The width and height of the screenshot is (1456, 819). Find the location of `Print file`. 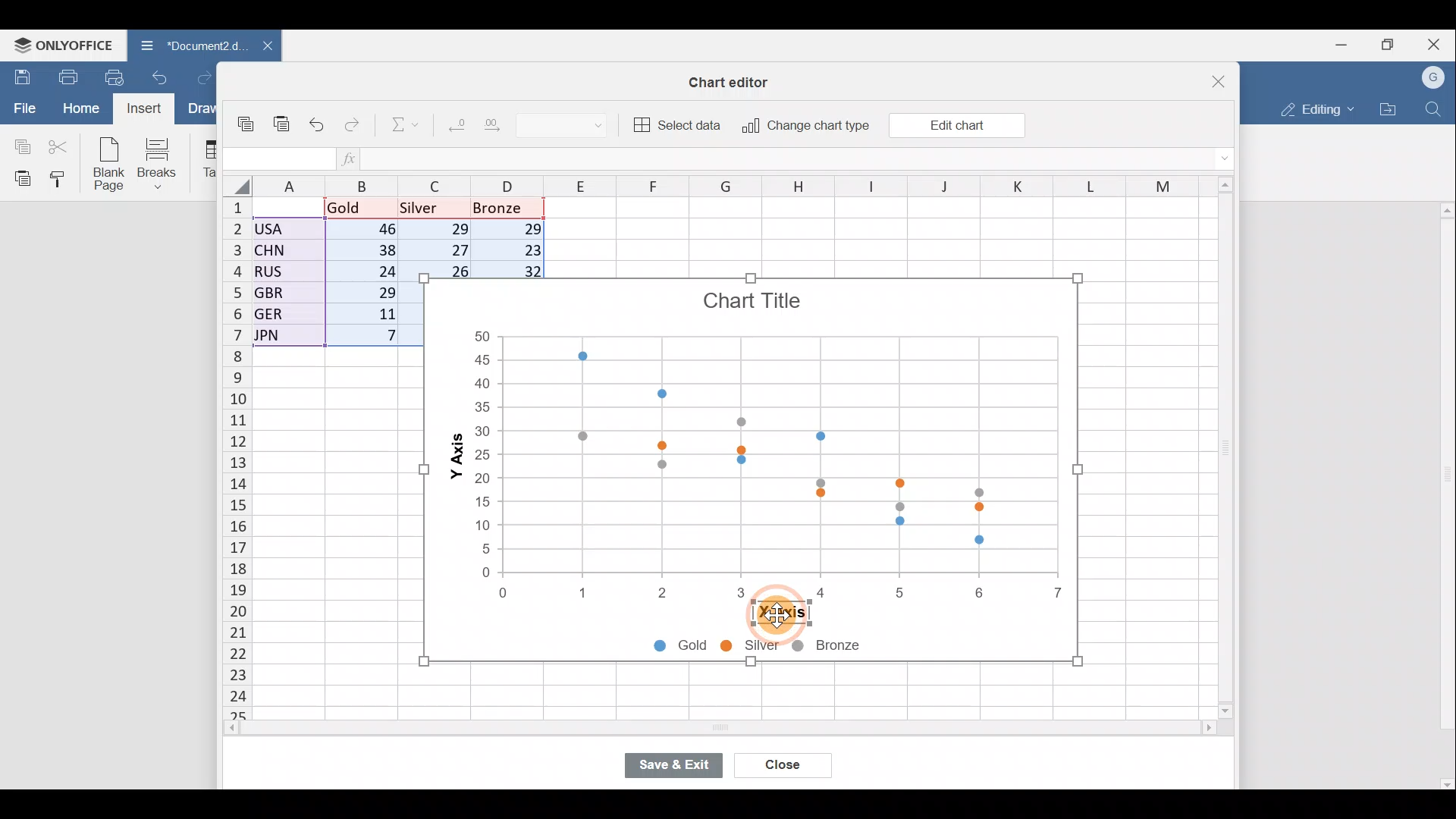

Print file is located at coordinates (62, 76).